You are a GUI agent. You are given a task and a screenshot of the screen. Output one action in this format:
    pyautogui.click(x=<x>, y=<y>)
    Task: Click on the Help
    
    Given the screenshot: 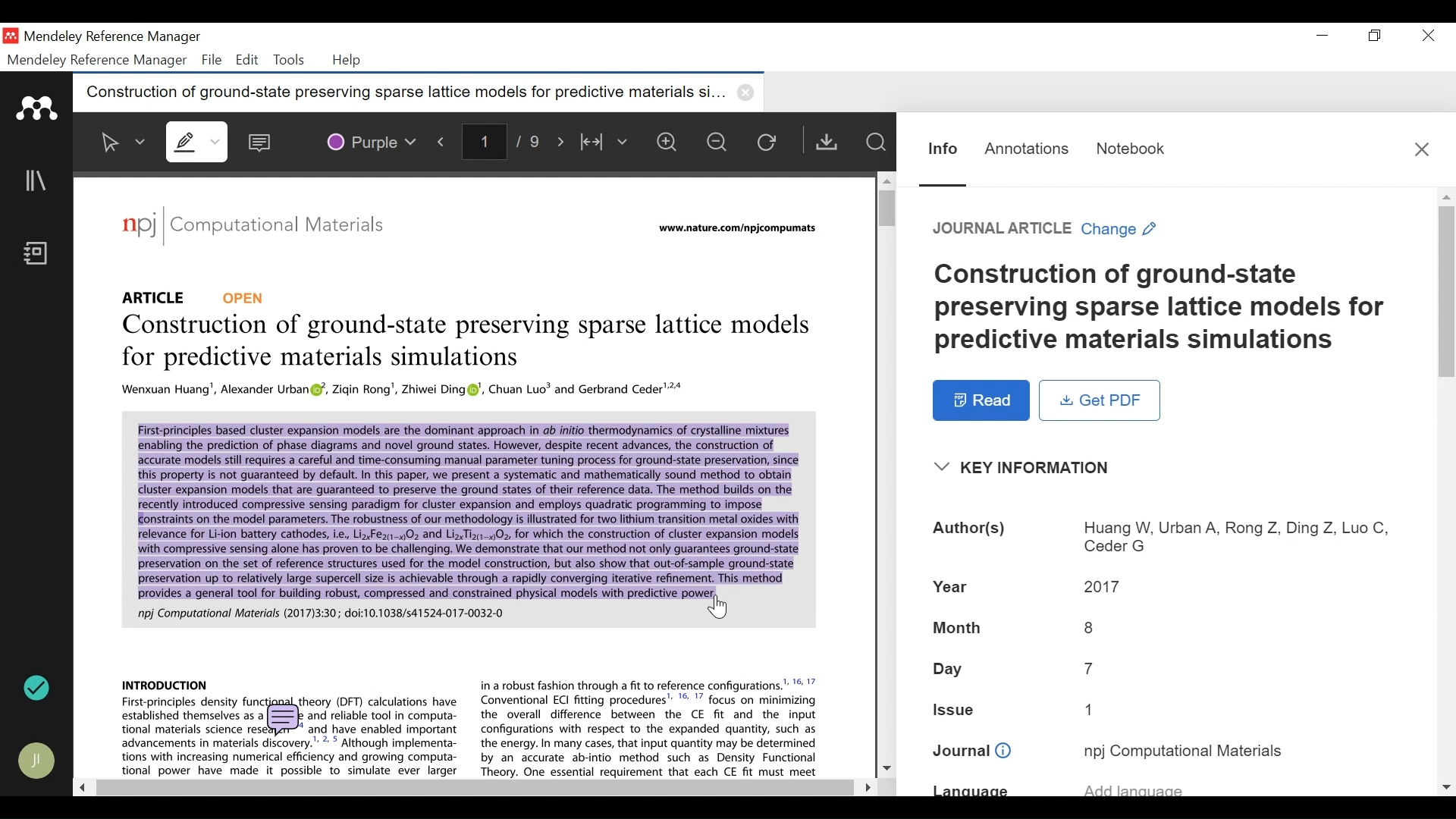 What is the action you would take?
    pyautogui.click(x=348, y=61)
    